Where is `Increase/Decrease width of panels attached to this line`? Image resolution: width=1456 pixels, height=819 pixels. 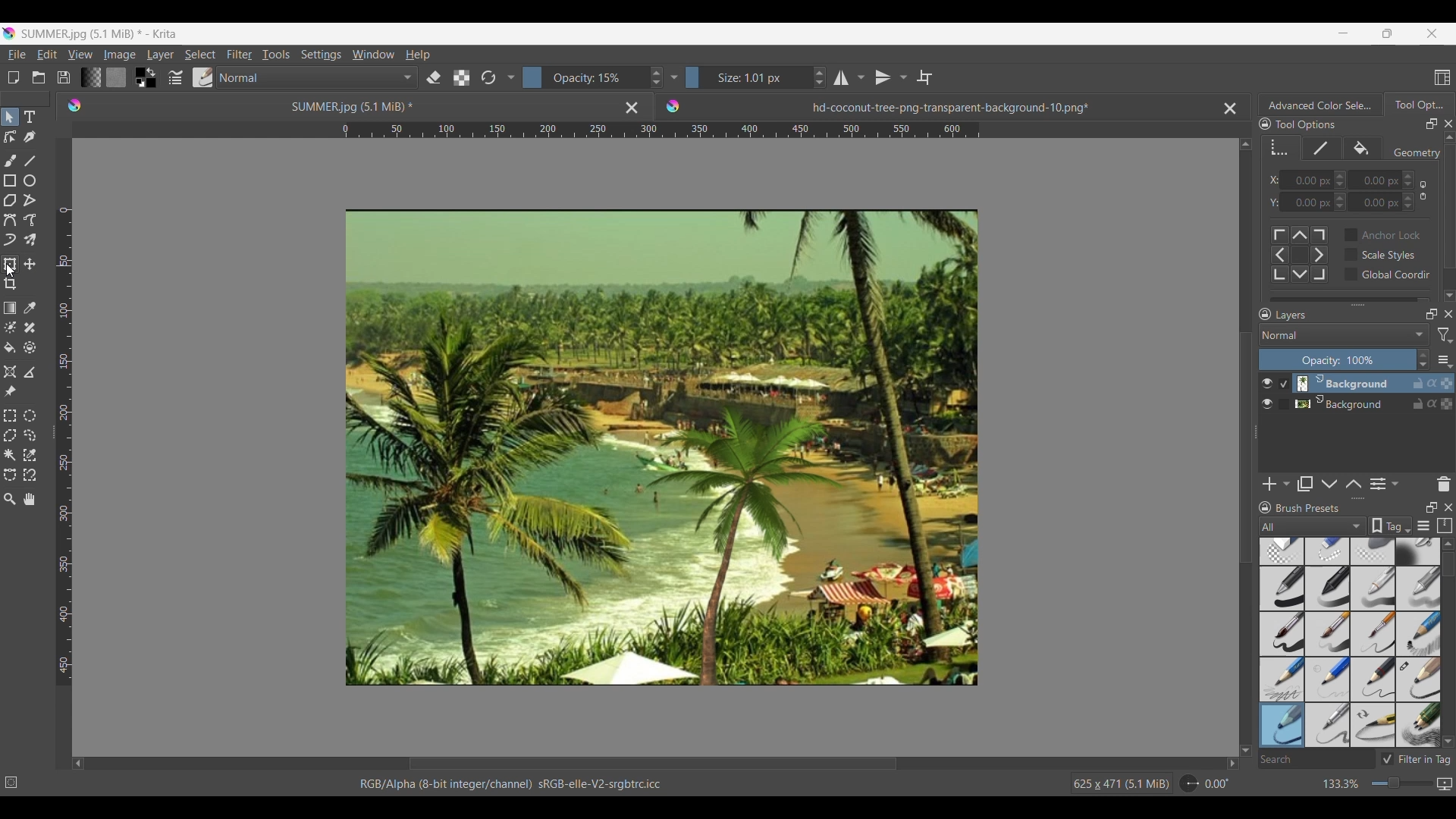
Increase/Decrease width of panels attached to this line is located at coordinates (1358, 304).